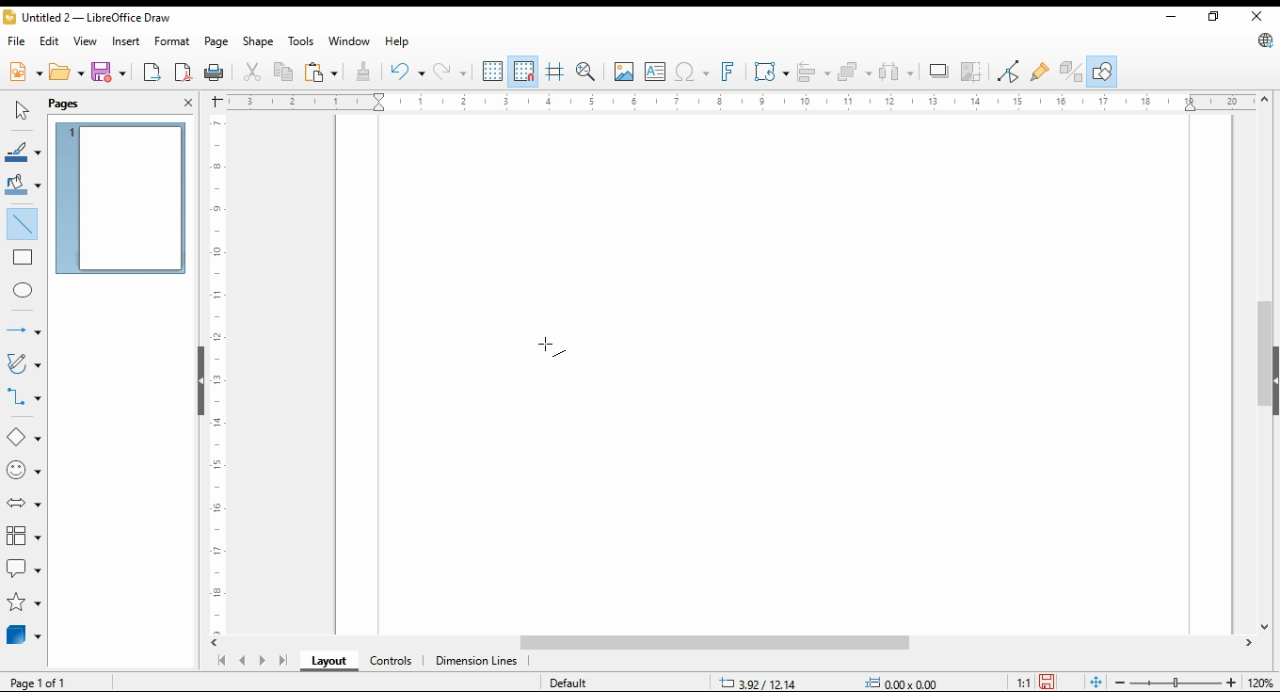 The image size is (1280, 692). Describe the element at coordinates (557, 71) in the screenshot. I see `helplines while moving` at that location.